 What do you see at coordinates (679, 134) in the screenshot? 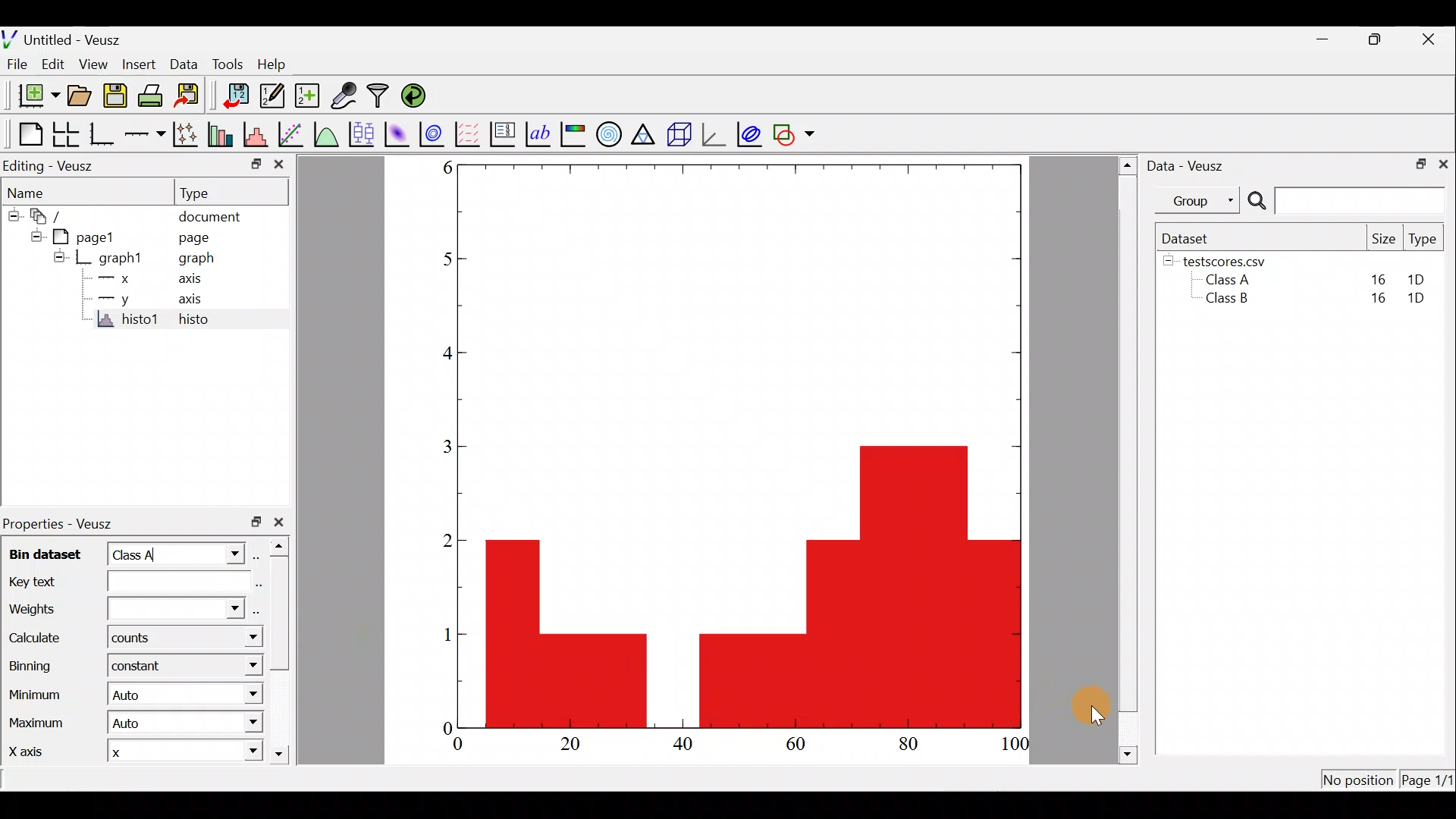
I see `3d scene` at bounding box center [679, 134].